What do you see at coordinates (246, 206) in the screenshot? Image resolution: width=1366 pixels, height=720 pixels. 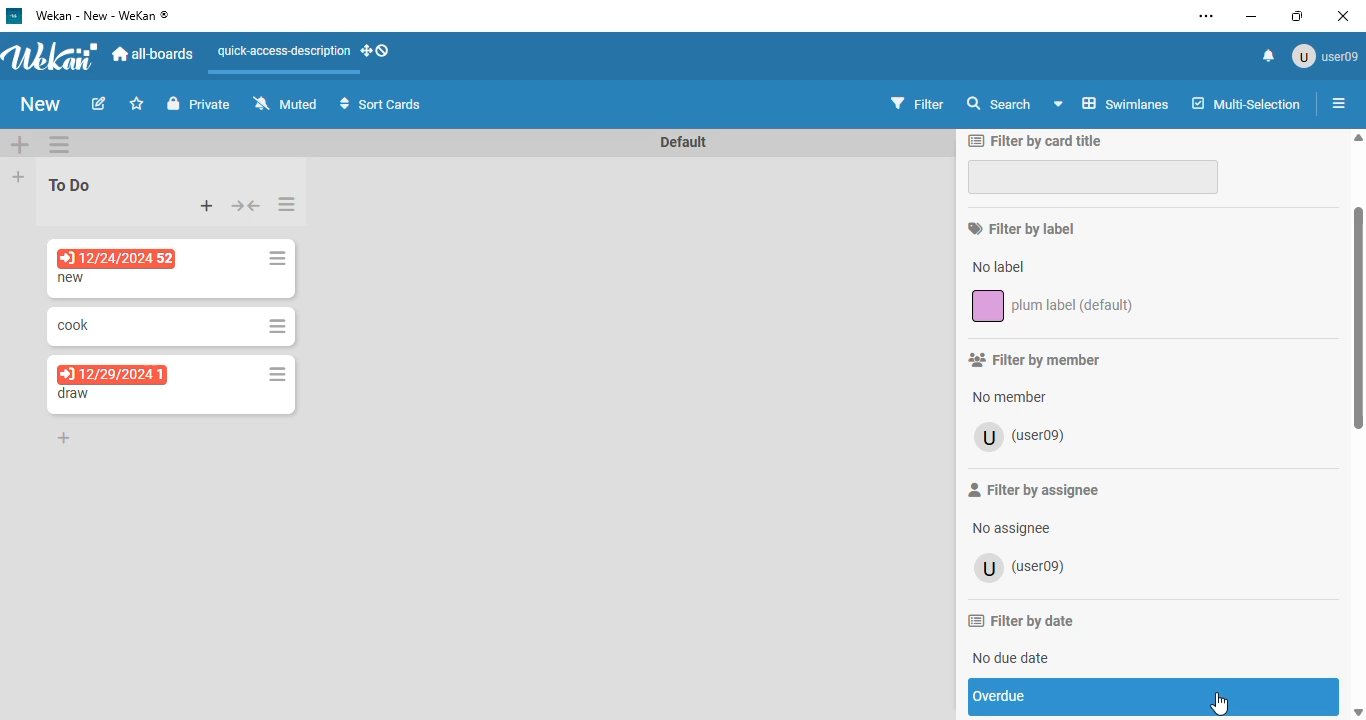 I see `collapse` at bounding box center [246, 206].